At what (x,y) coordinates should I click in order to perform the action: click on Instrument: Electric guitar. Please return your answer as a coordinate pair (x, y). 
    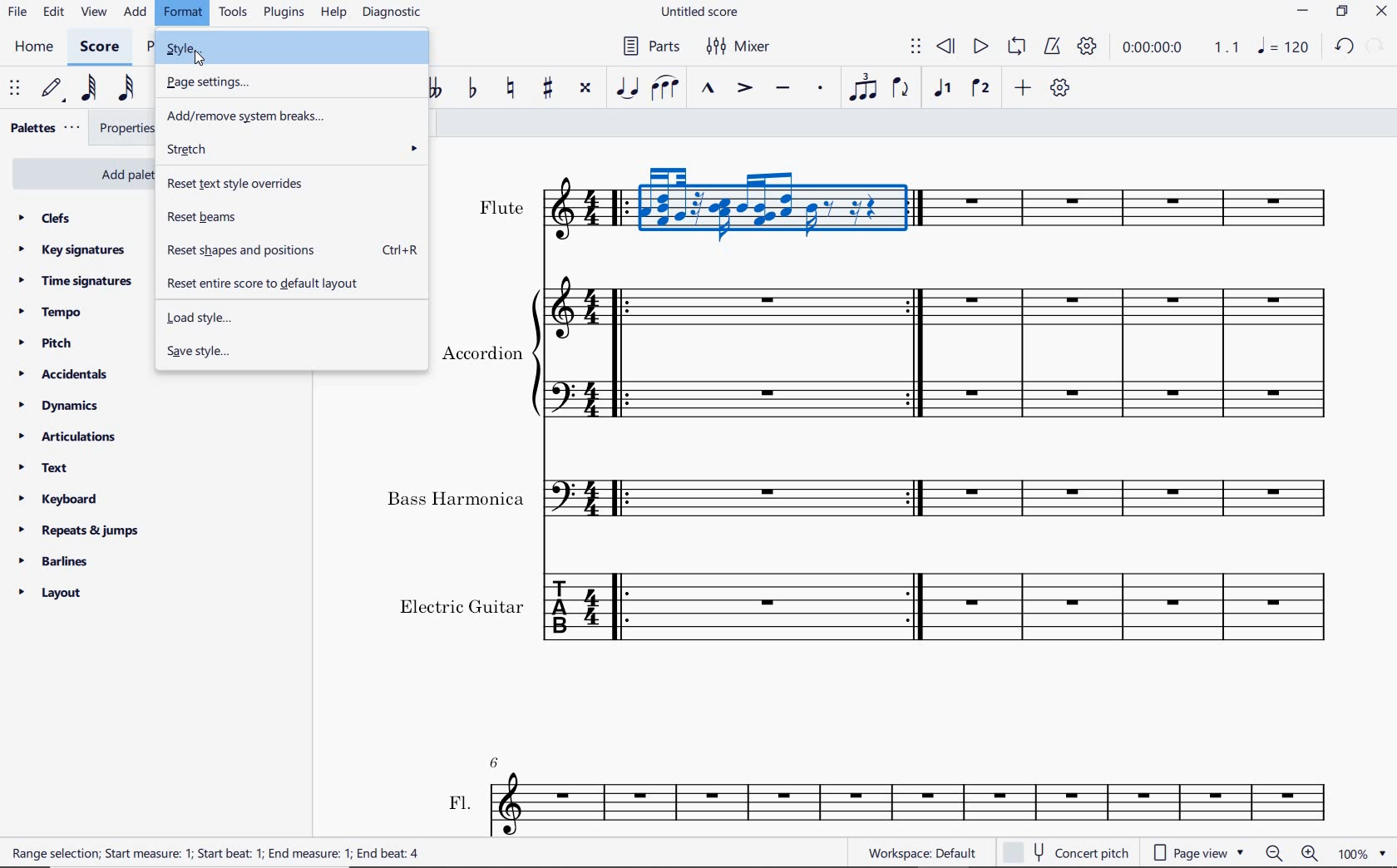
    Looking at the image, I should click on (870, 606).